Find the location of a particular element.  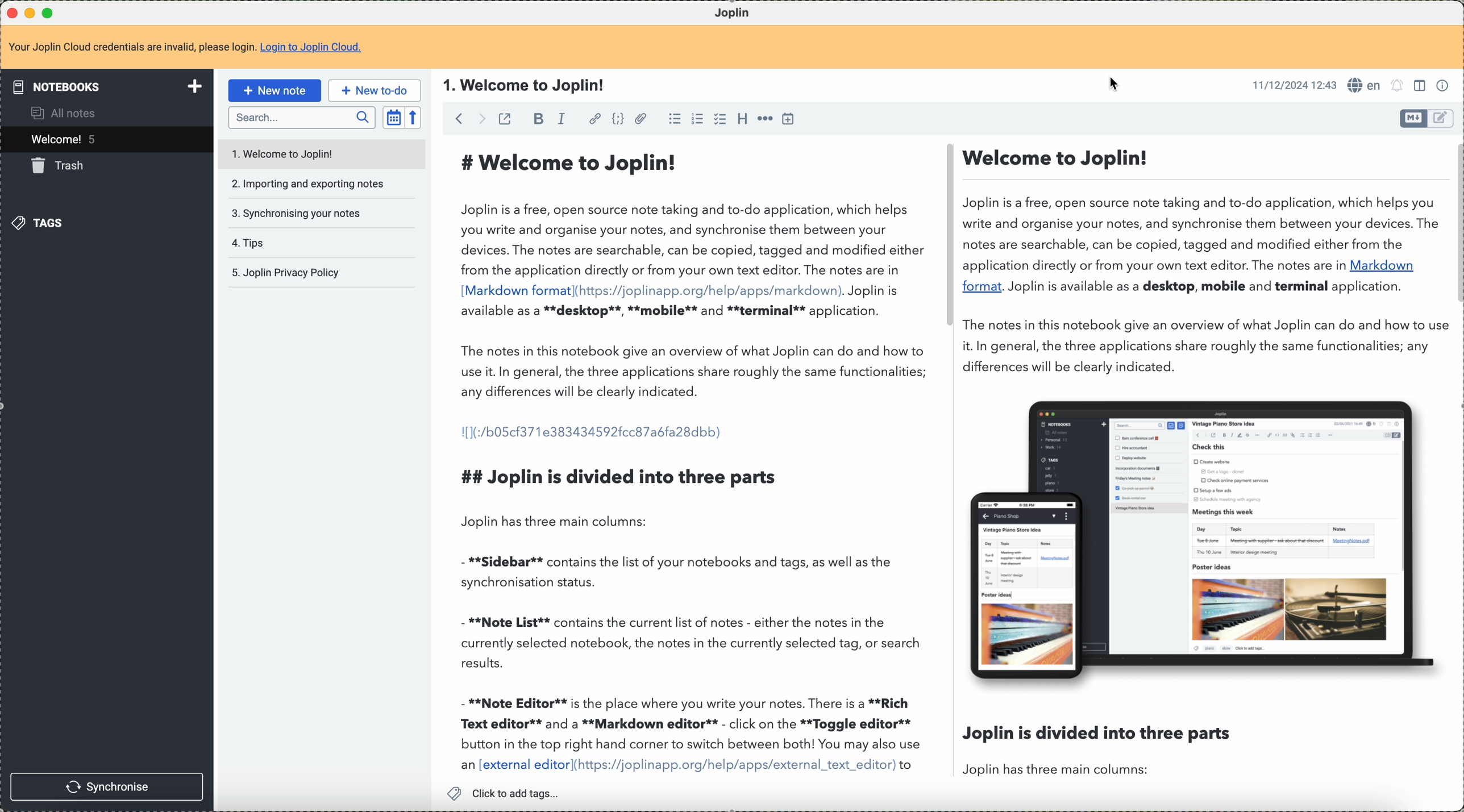

navigate foward is located at coordinates (481, 118).